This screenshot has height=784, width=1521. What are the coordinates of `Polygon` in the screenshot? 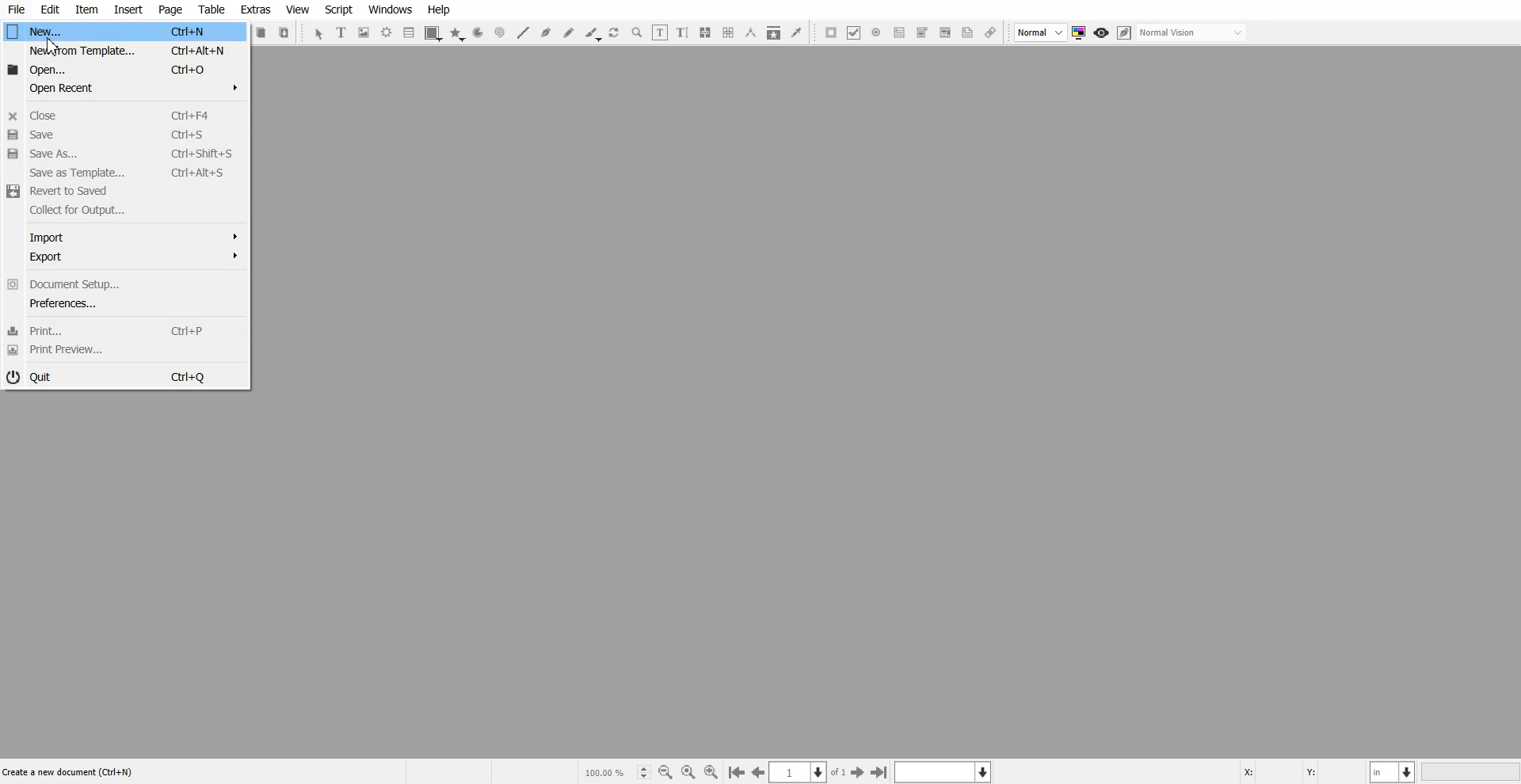 It's located at (457, 34).